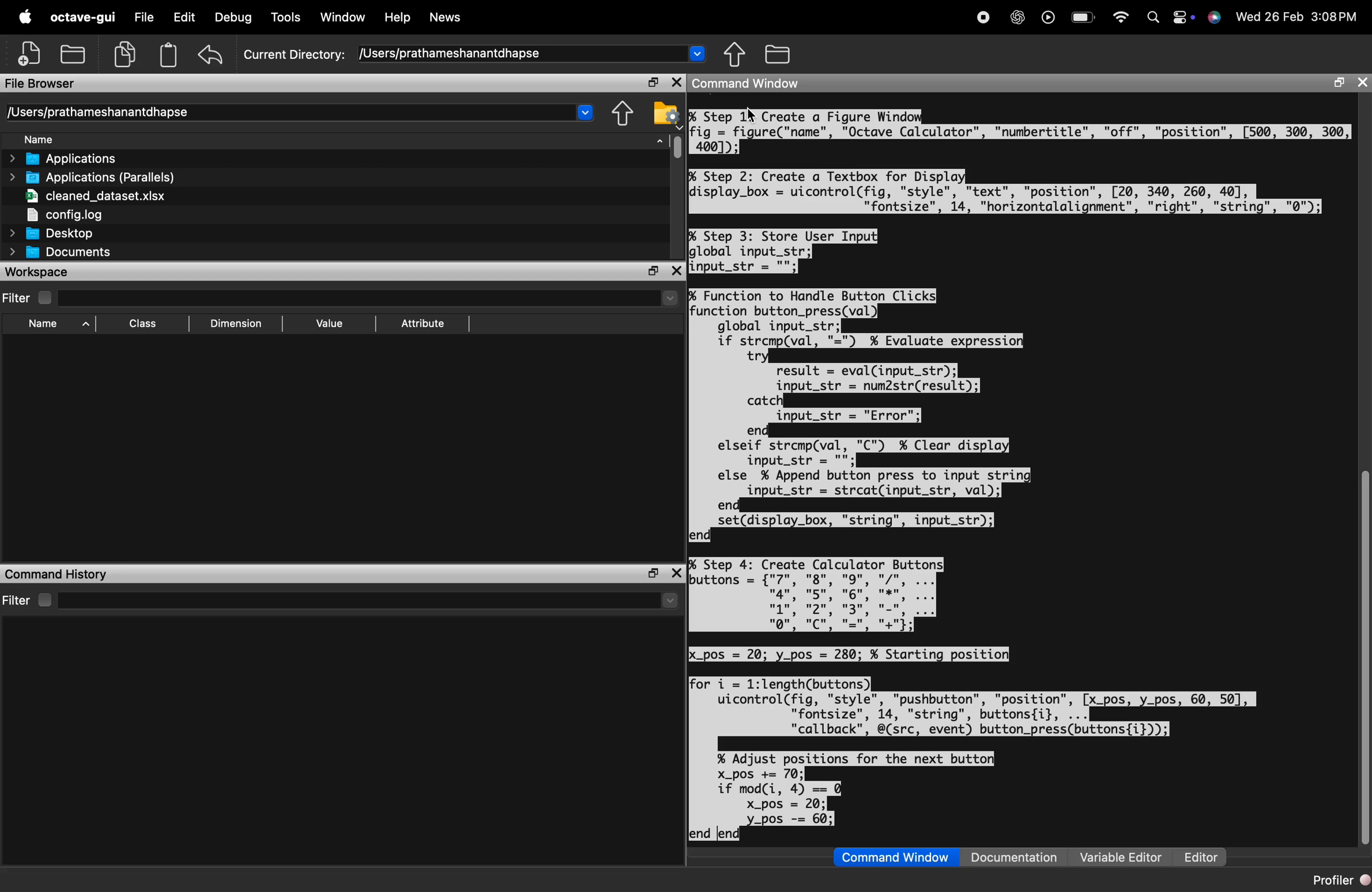  What do you see at coordinates (74, 52) in the screenshot?
I see `open an existing file in an editor` at bounding box center [74, 52].